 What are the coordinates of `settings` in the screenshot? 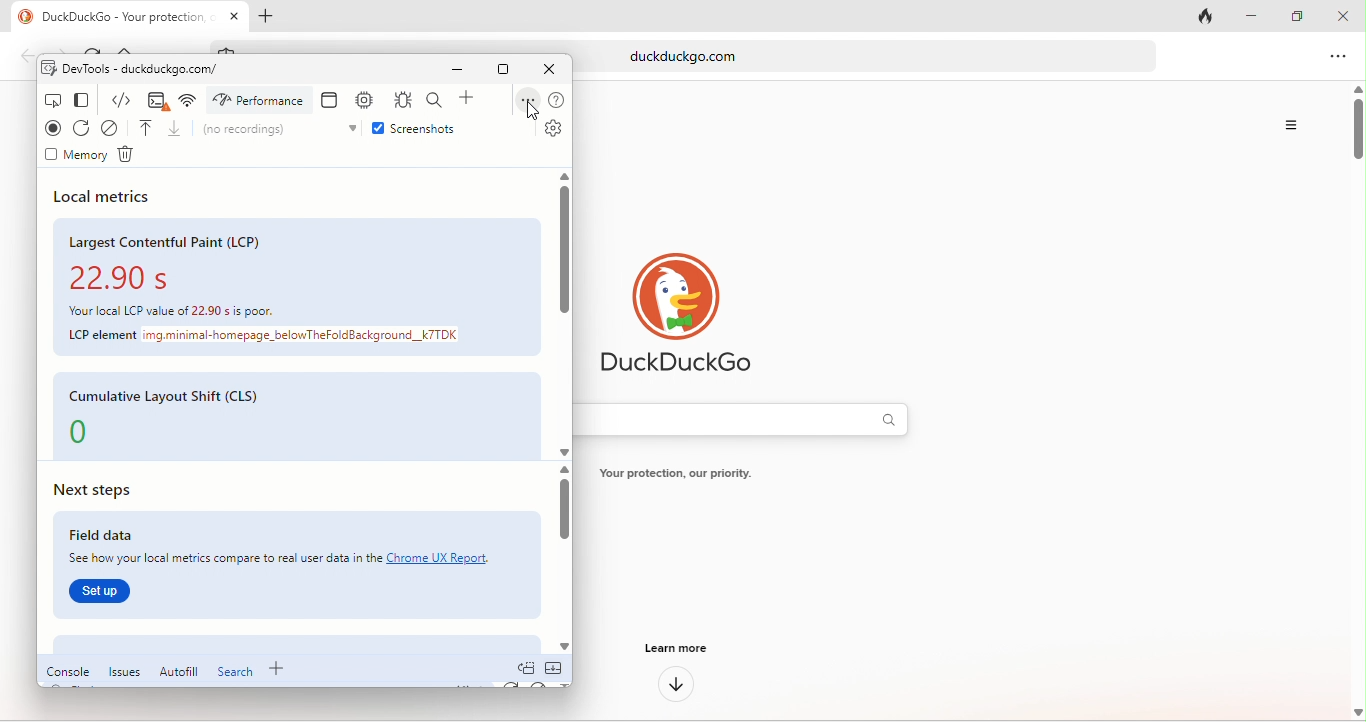 It's located at (550, 127).